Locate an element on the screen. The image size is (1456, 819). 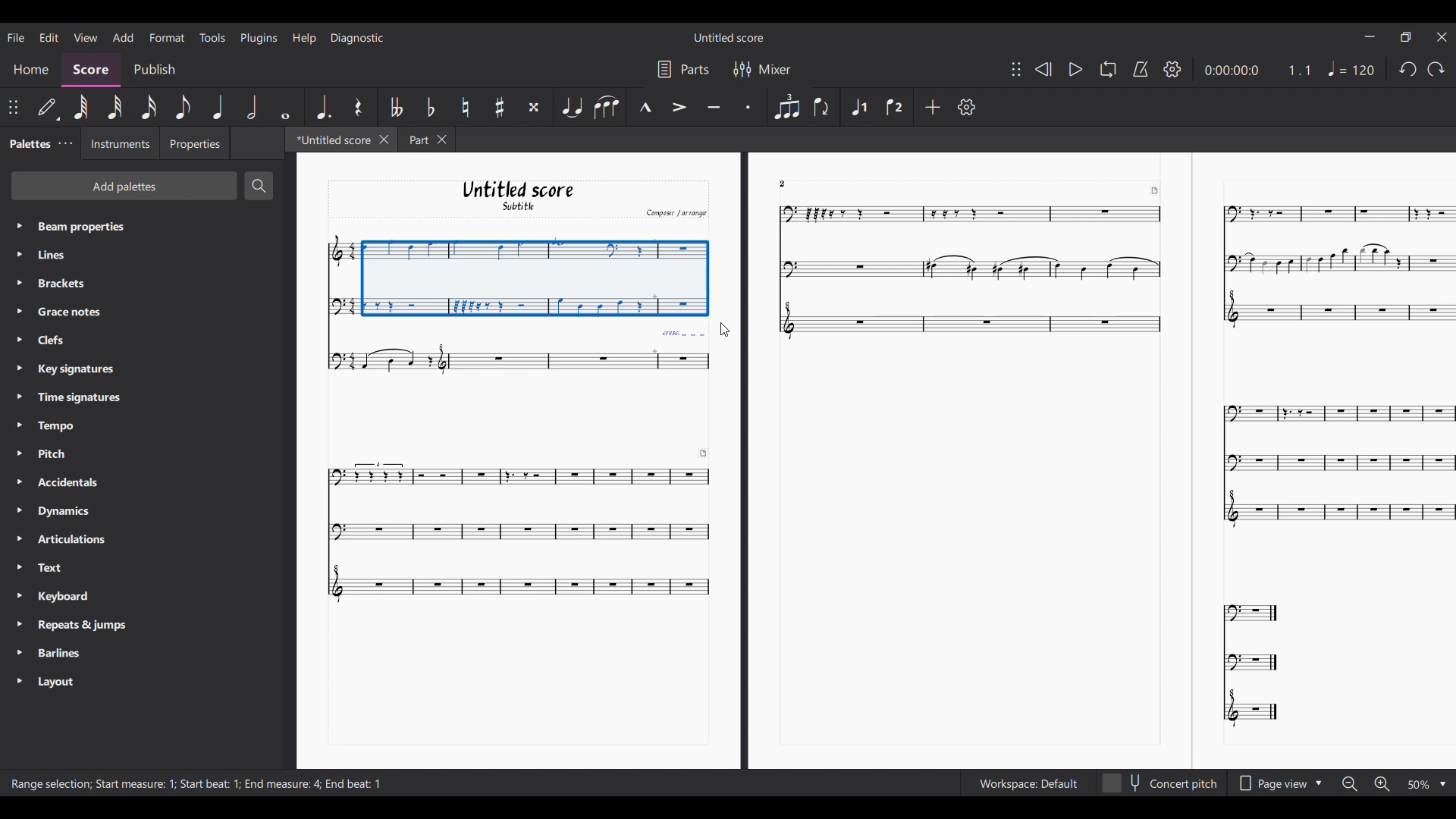
 is located at coordinates (15, 682).